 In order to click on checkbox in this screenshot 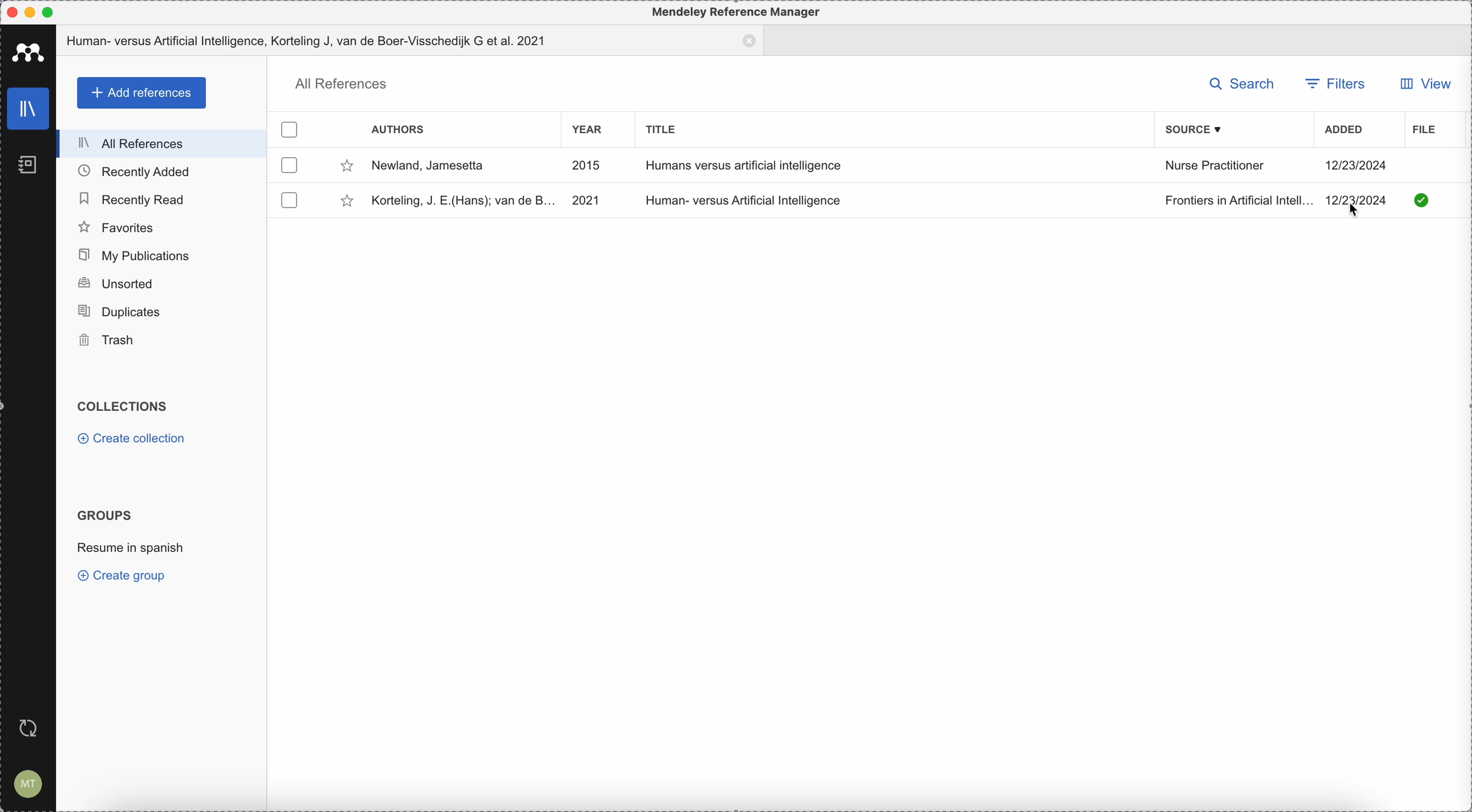, I will do `click(287, 199)`.